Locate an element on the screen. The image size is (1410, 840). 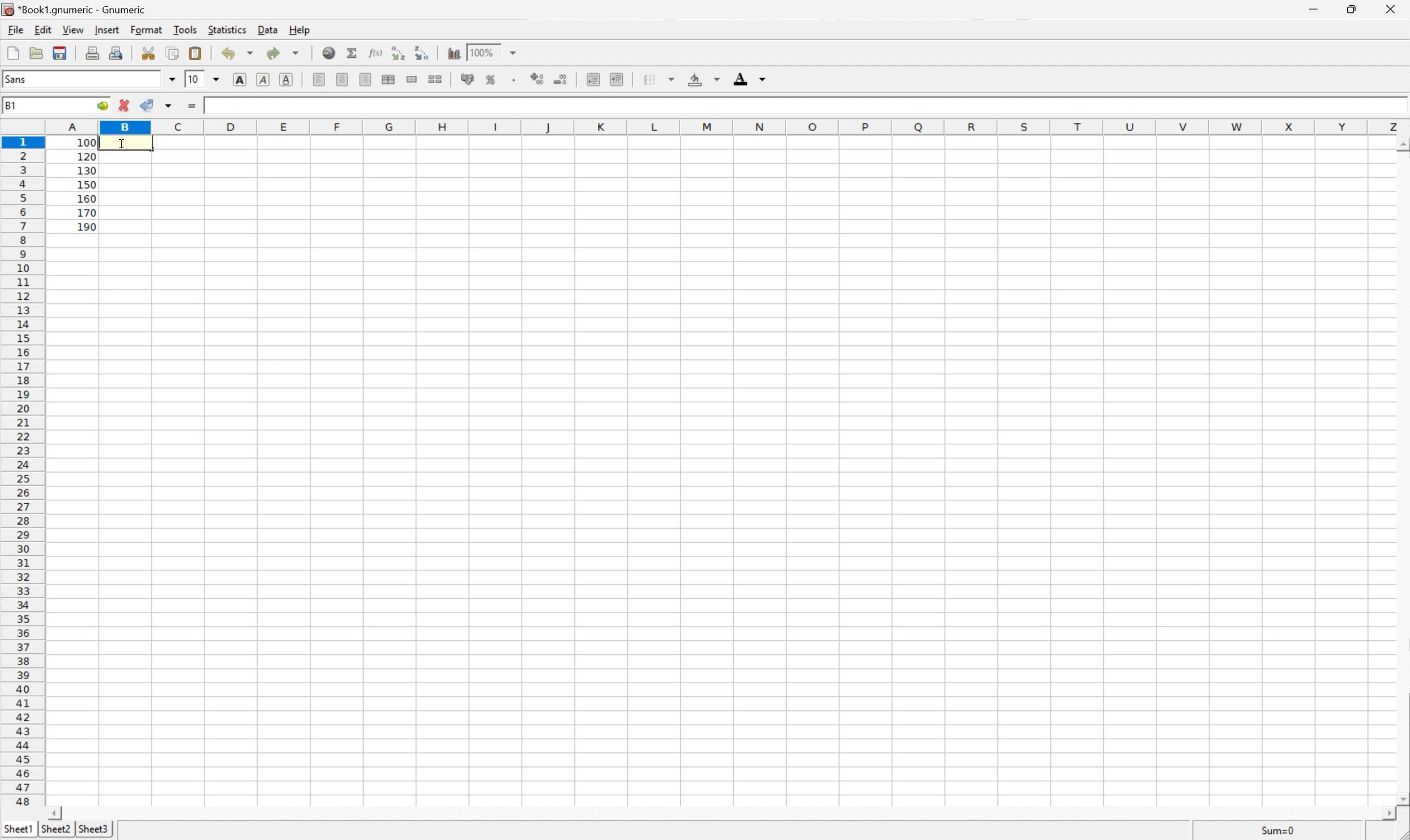
100 is located at coordinates (87, 142).